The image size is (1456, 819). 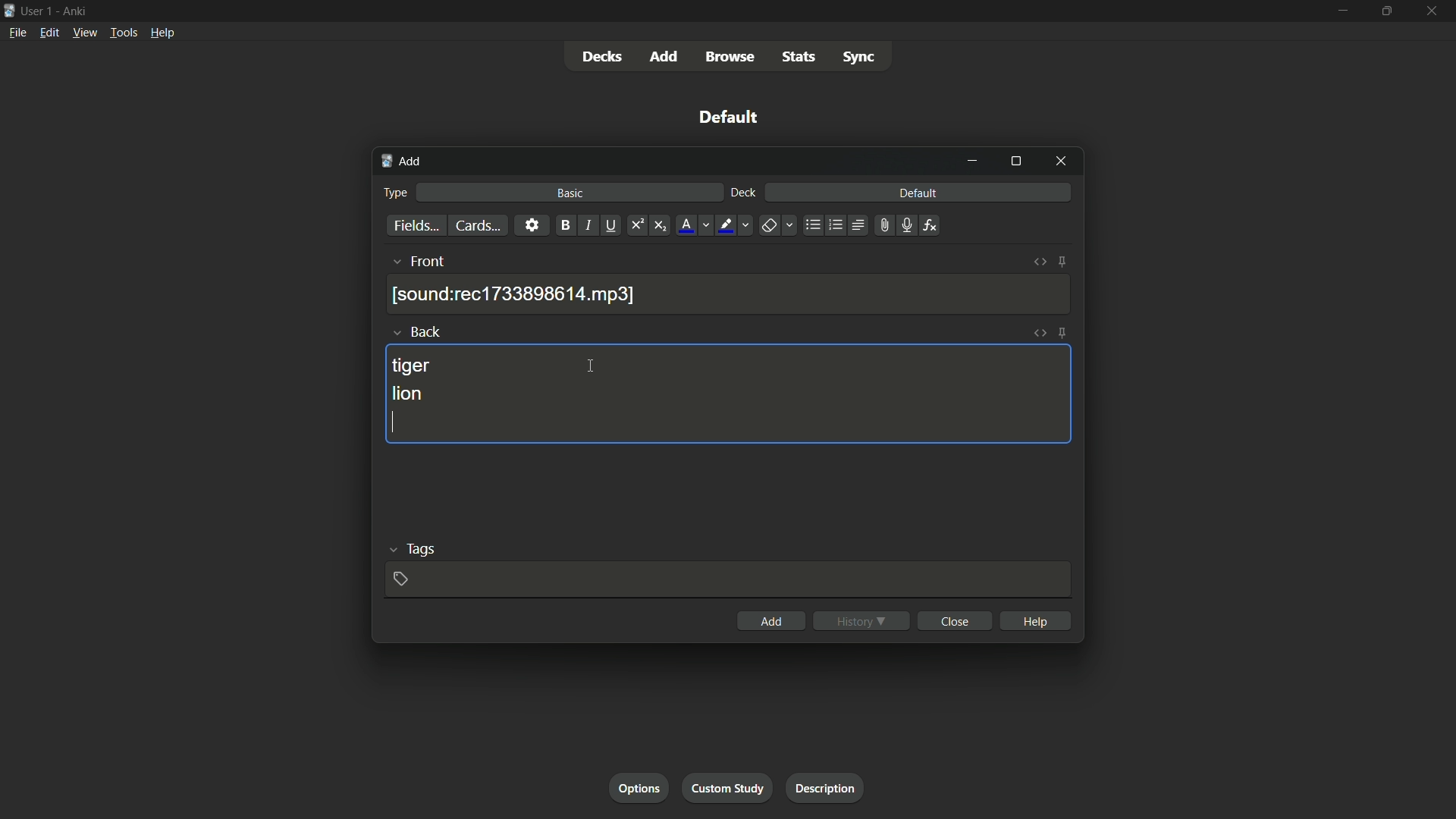 What do you see at coordinates (974, 161) in the screenshot?
I see `minimize` at bounding box center [974, 161].